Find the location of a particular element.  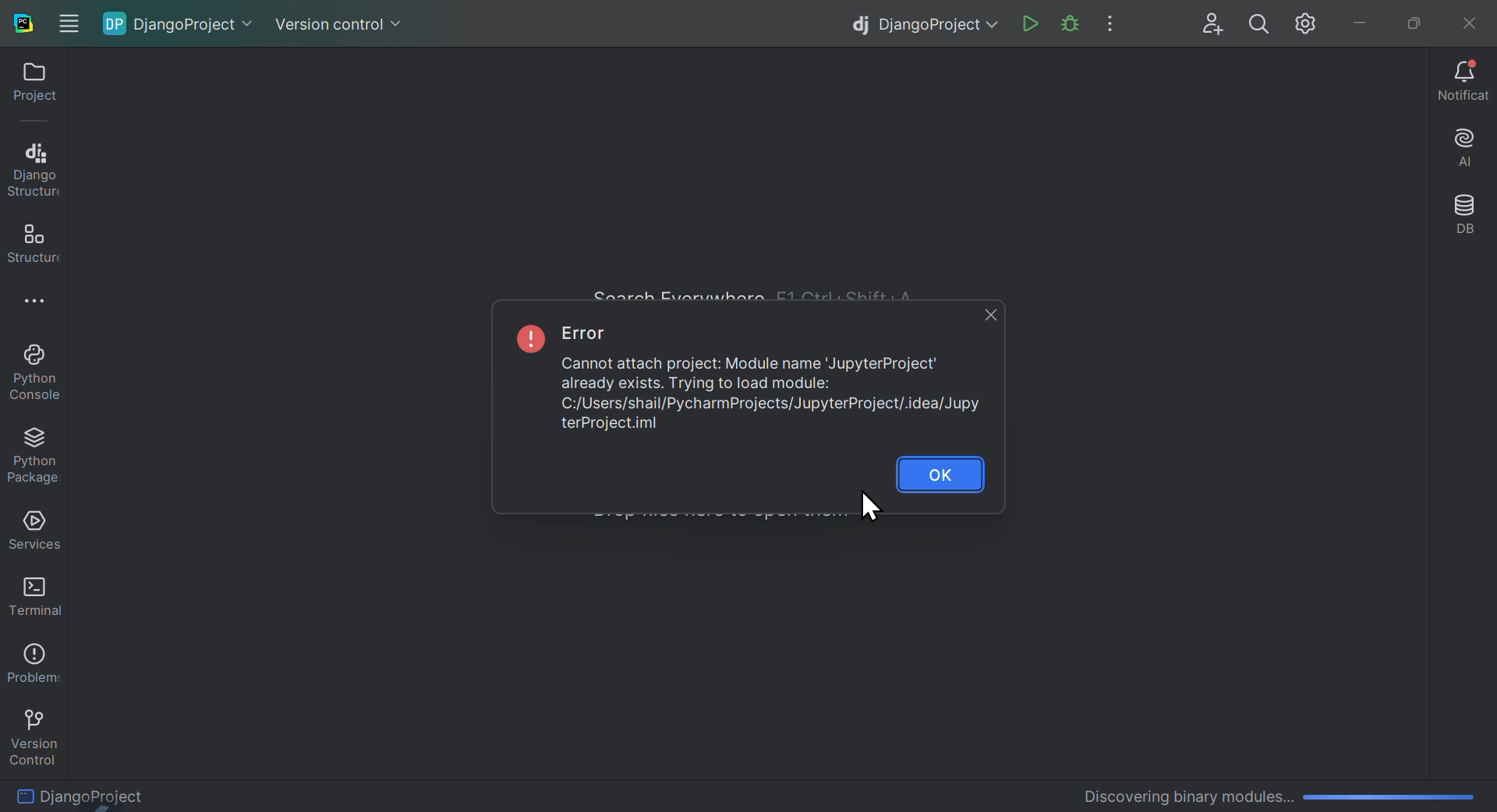

Services is located at coordinates (31, 531).